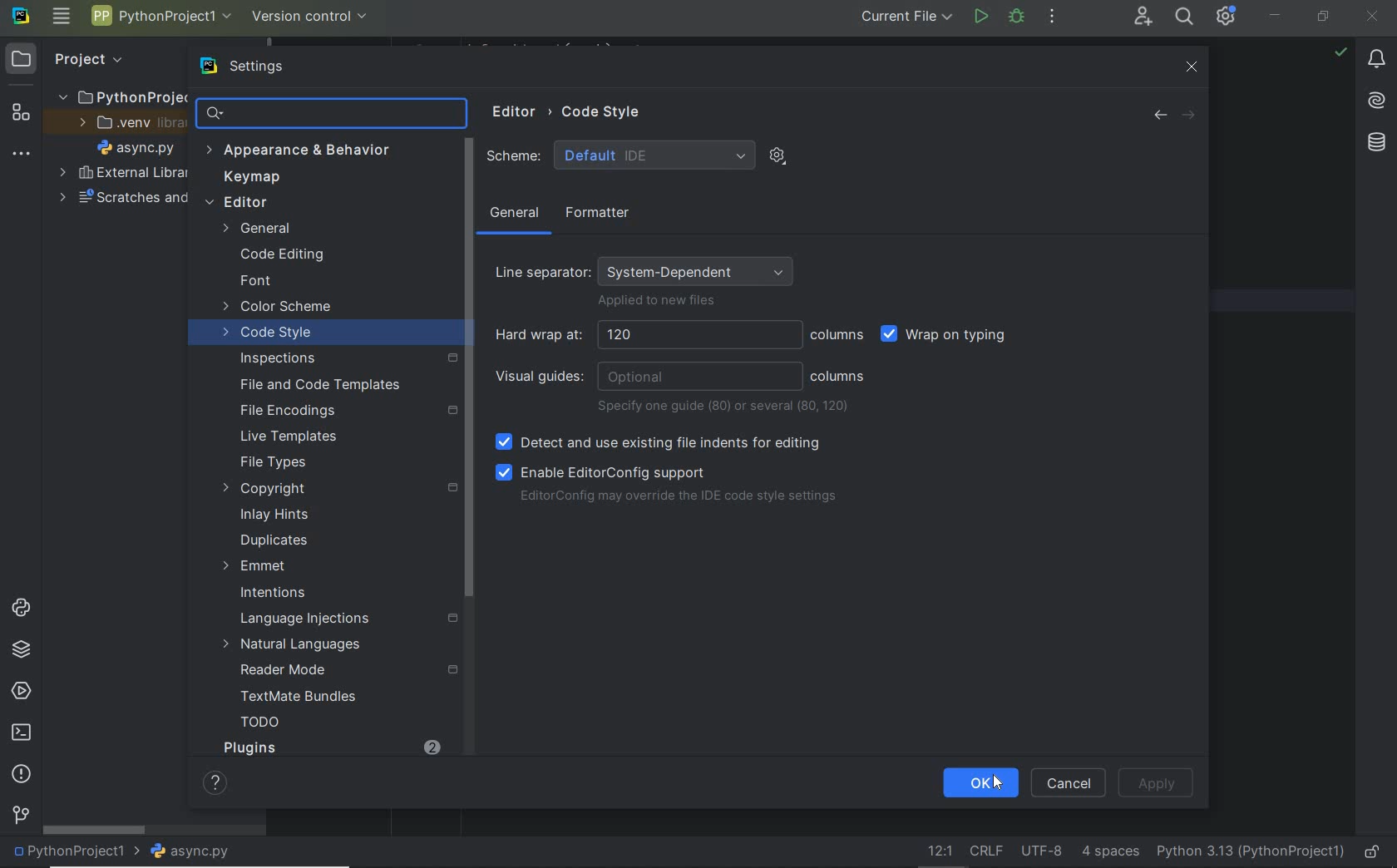 The height and width of the screenshot is (868, 1397). I want to click on project folder, so click(120, 98).